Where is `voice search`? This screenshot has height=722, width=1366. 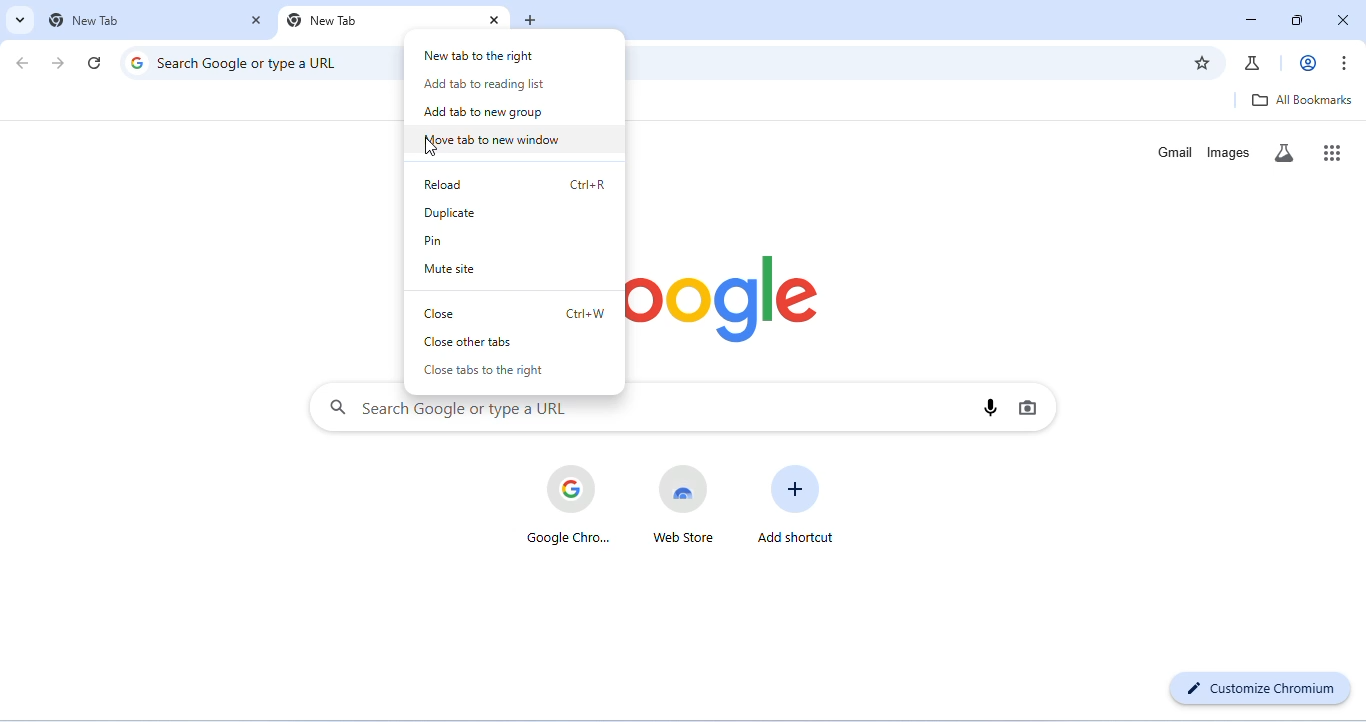
voice search is located at coordinates (990, 409).